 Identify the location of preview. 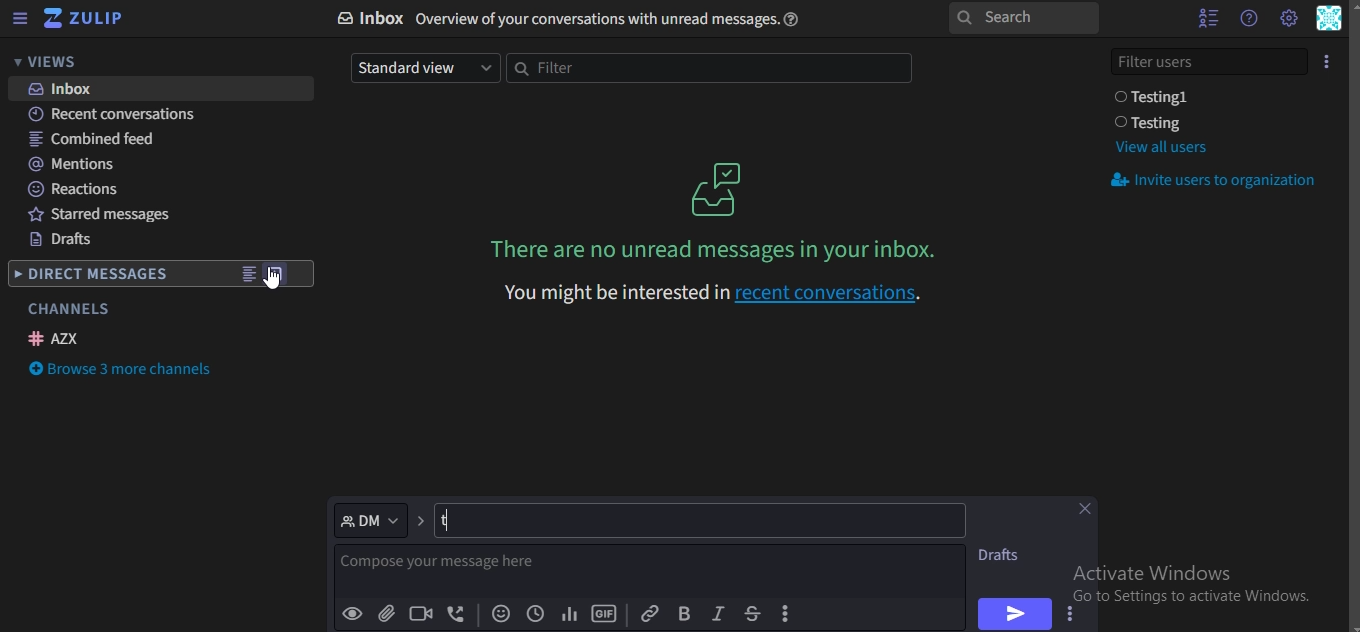
(353, 614).